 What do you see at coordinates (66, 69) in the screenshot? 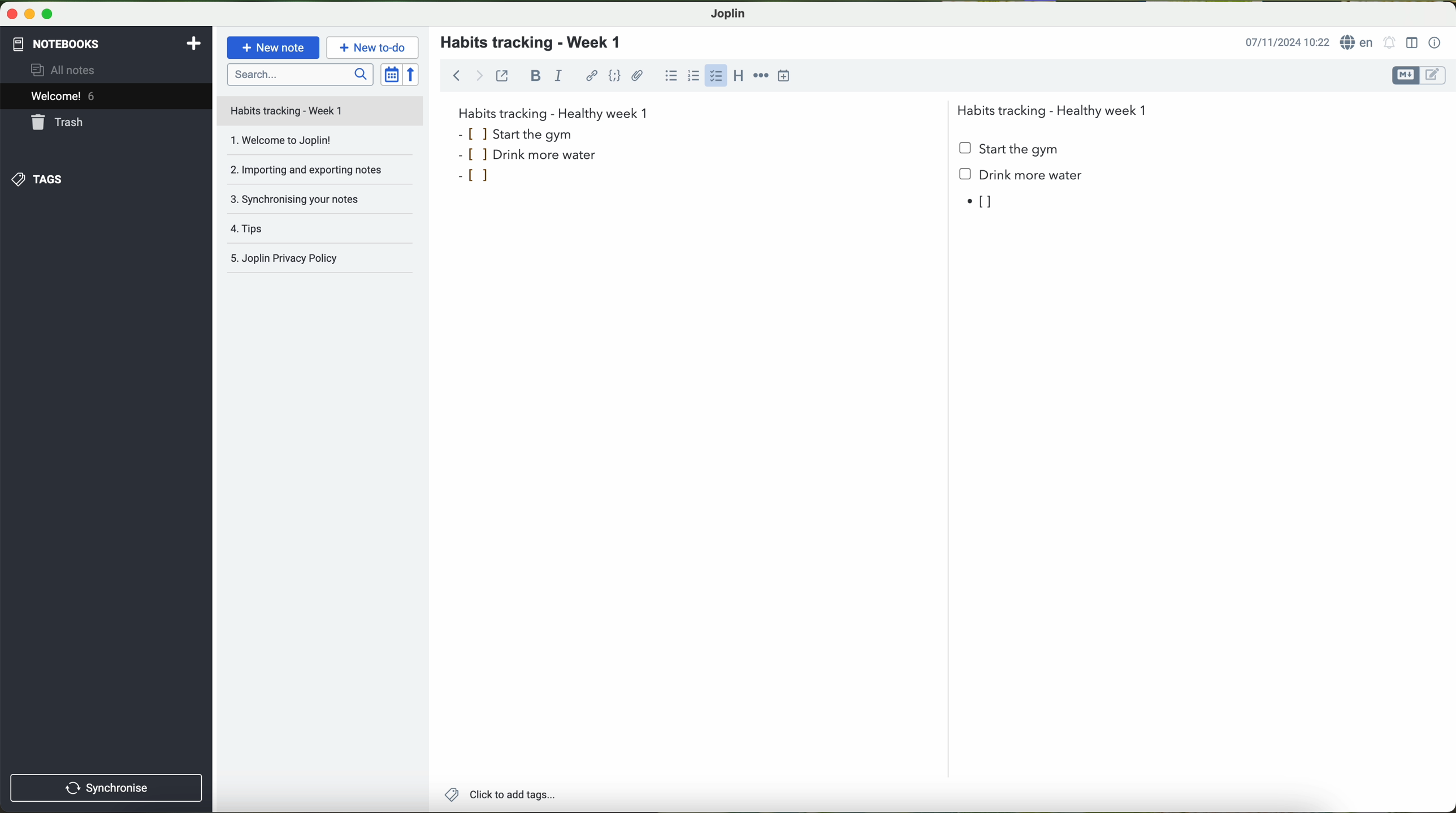
I see `all notes` at bounding box center [66, 69].